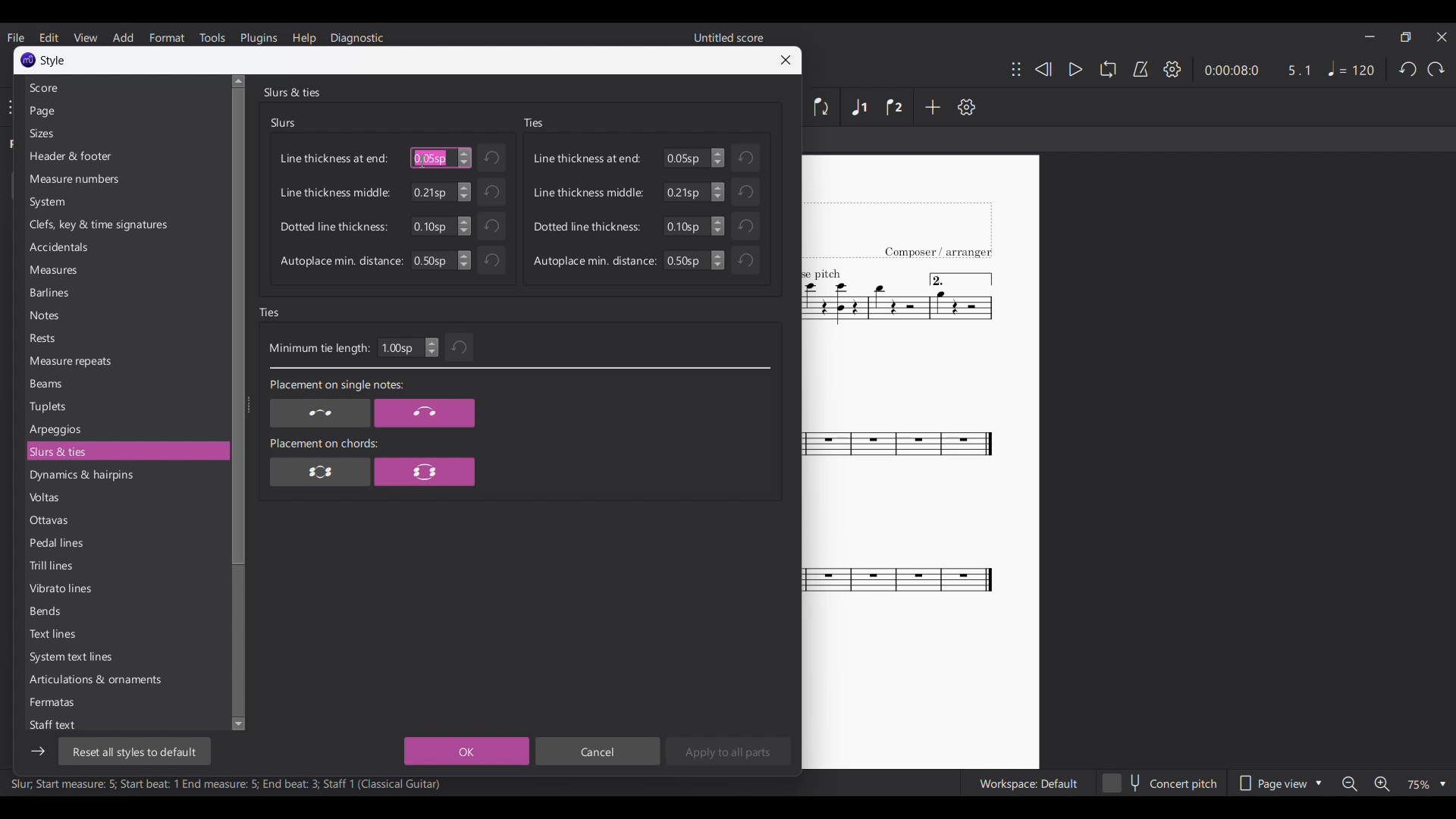  Describe the element at coordinates (124, 133) in the screenshot. I see `Sizes` at that location.